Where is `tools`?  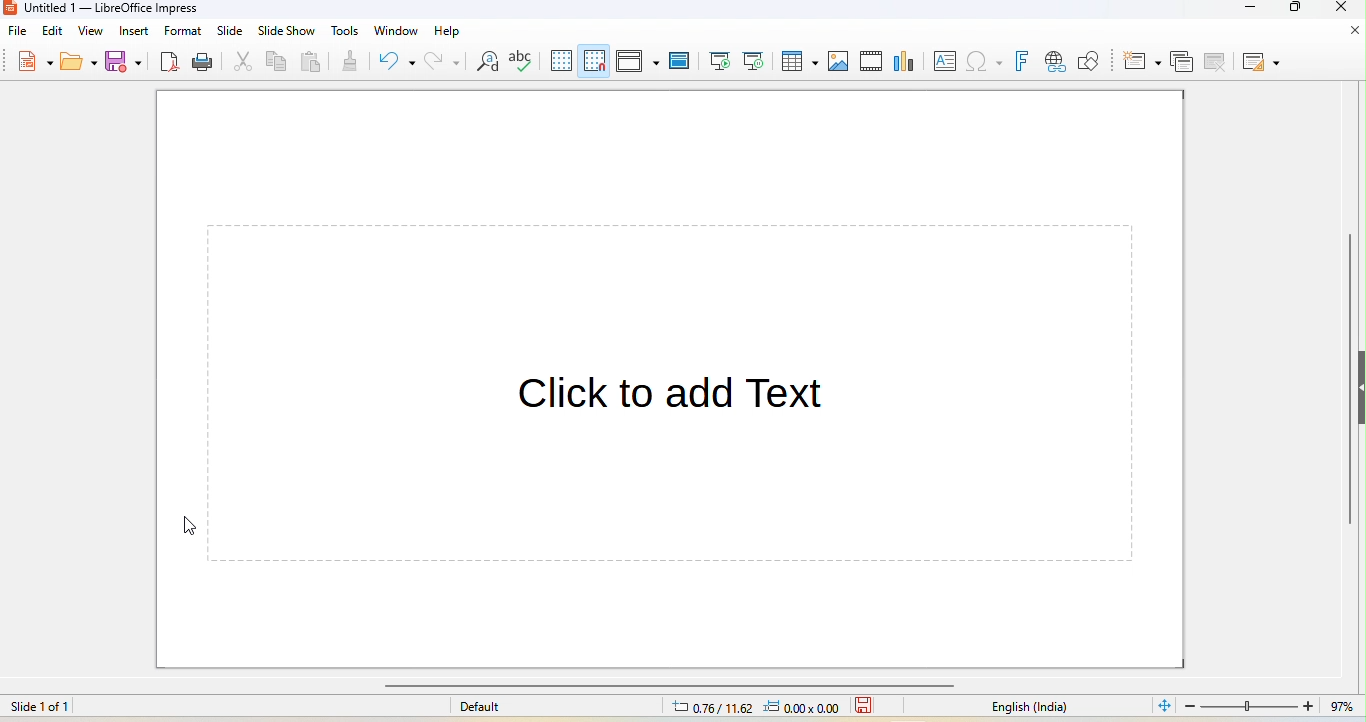 tools is located at coordinates (346, 30).